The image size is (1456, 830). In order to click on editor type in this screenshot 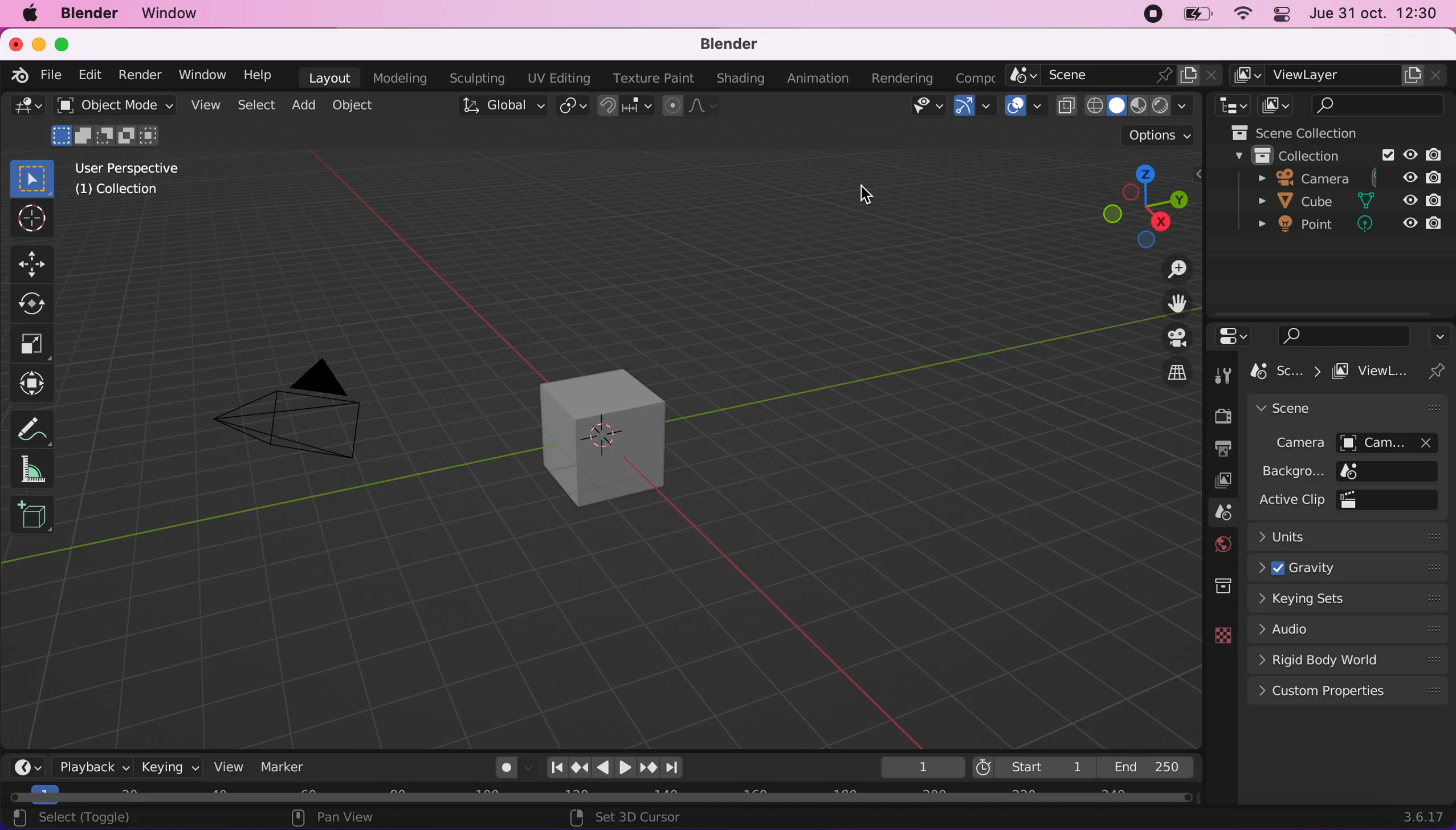, I will do `click(1229, 105)`.